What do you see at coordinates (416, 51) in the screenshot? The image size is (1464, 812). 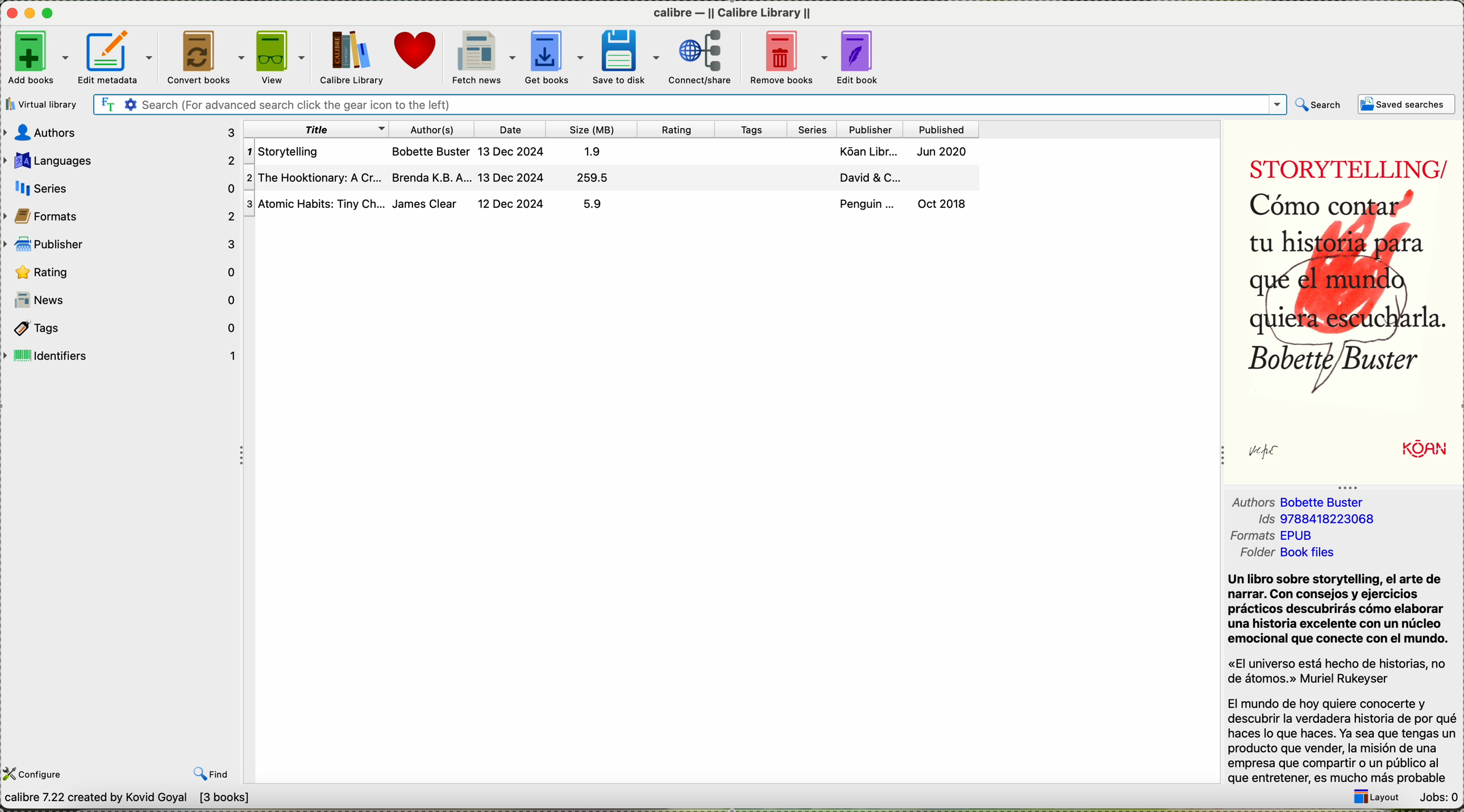 I see `donate` at bounding box center [416, 51].